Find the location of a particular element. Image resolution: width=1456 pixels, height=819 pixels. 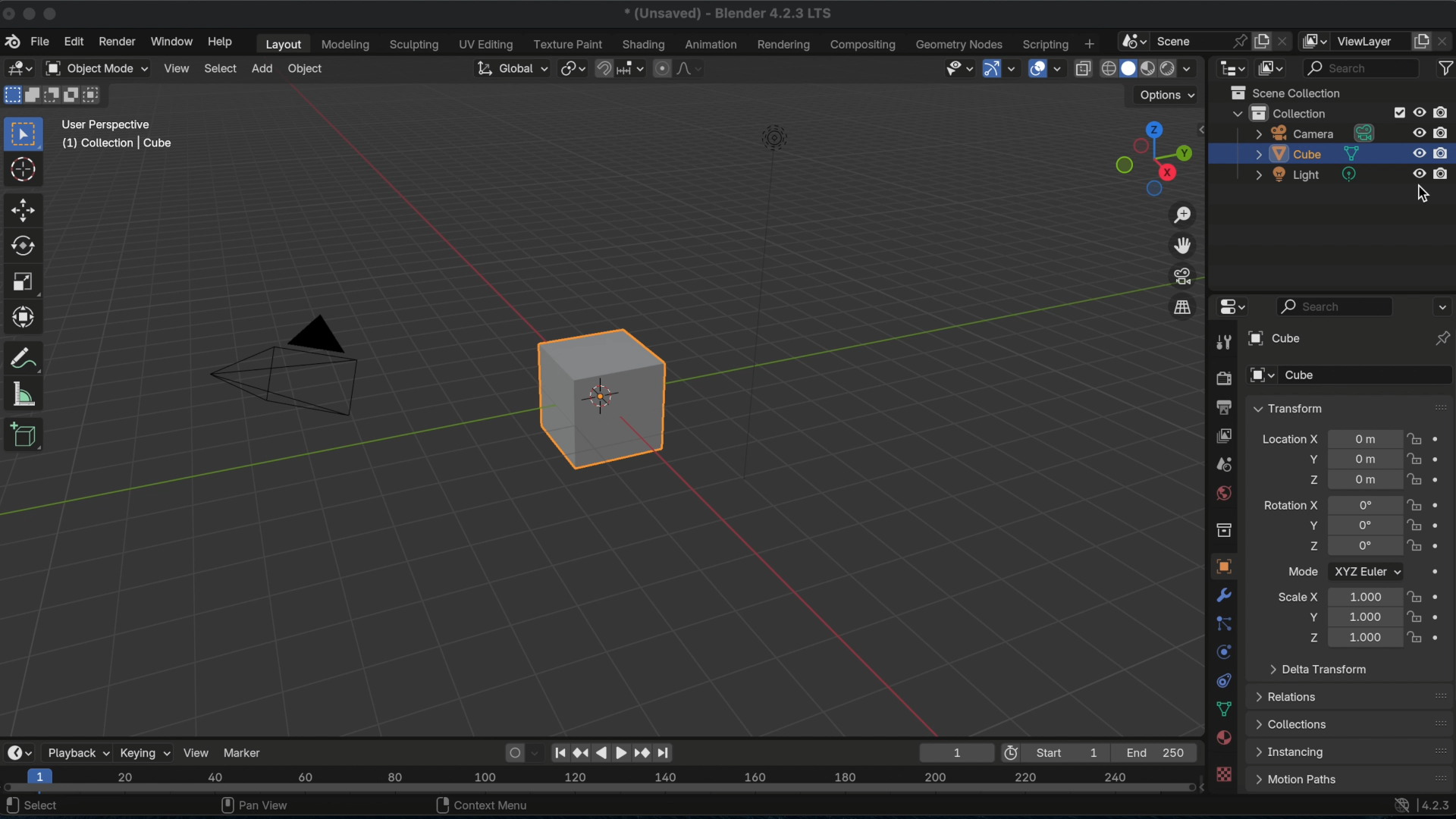

motion paths is located at coordinates (1295, 780).